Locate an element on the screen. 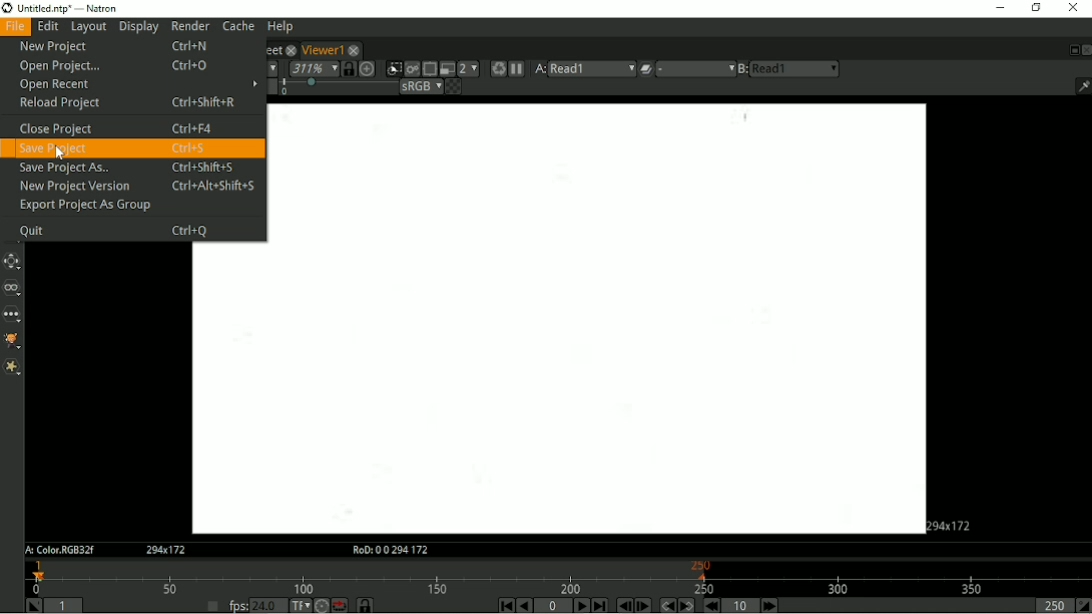 This screenshot has height=614, width=1092. Viewer1 is located at coordinates (321, 48).